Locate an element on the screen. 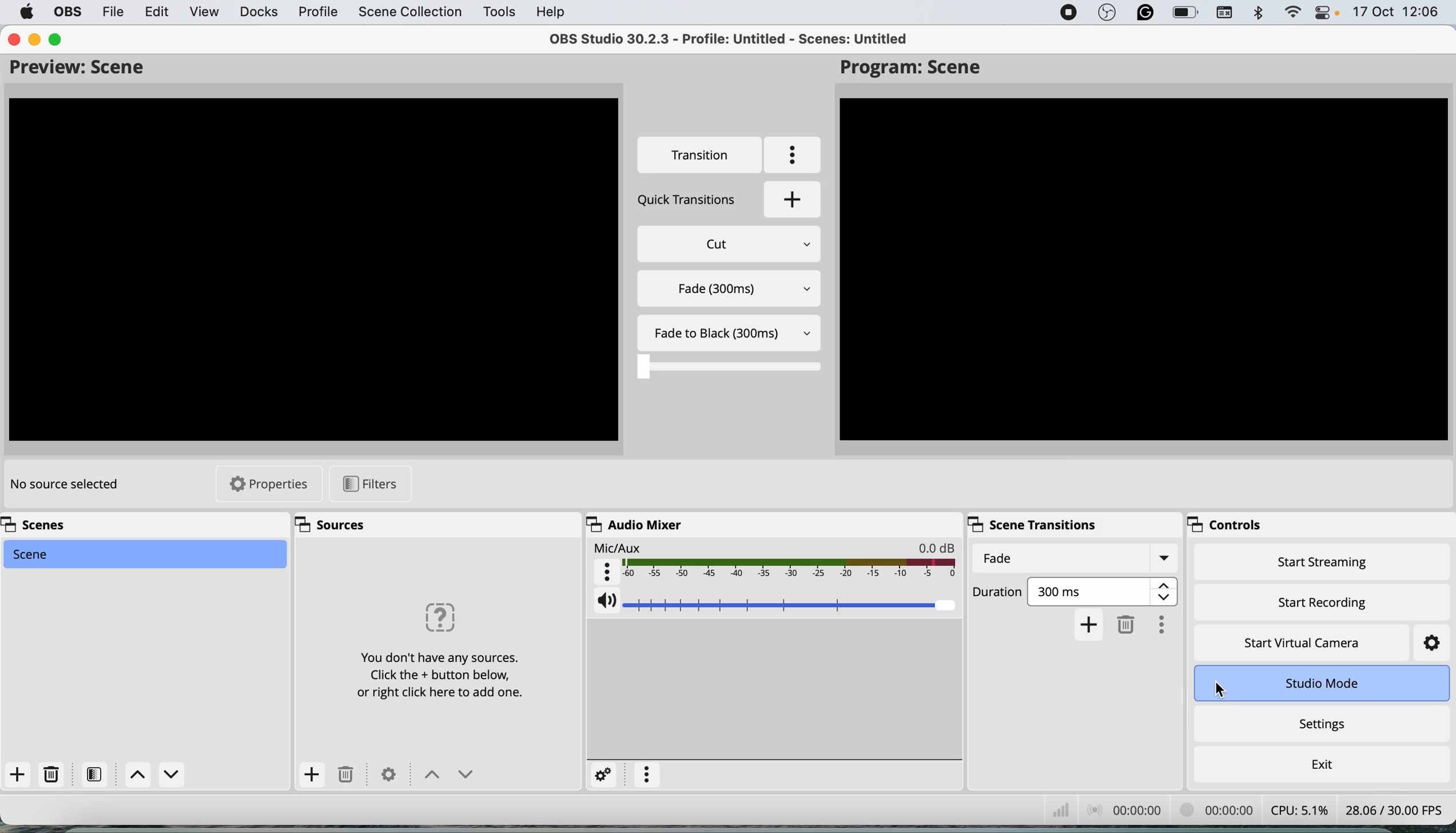  grammarly is located at coordinates (1147, 12).